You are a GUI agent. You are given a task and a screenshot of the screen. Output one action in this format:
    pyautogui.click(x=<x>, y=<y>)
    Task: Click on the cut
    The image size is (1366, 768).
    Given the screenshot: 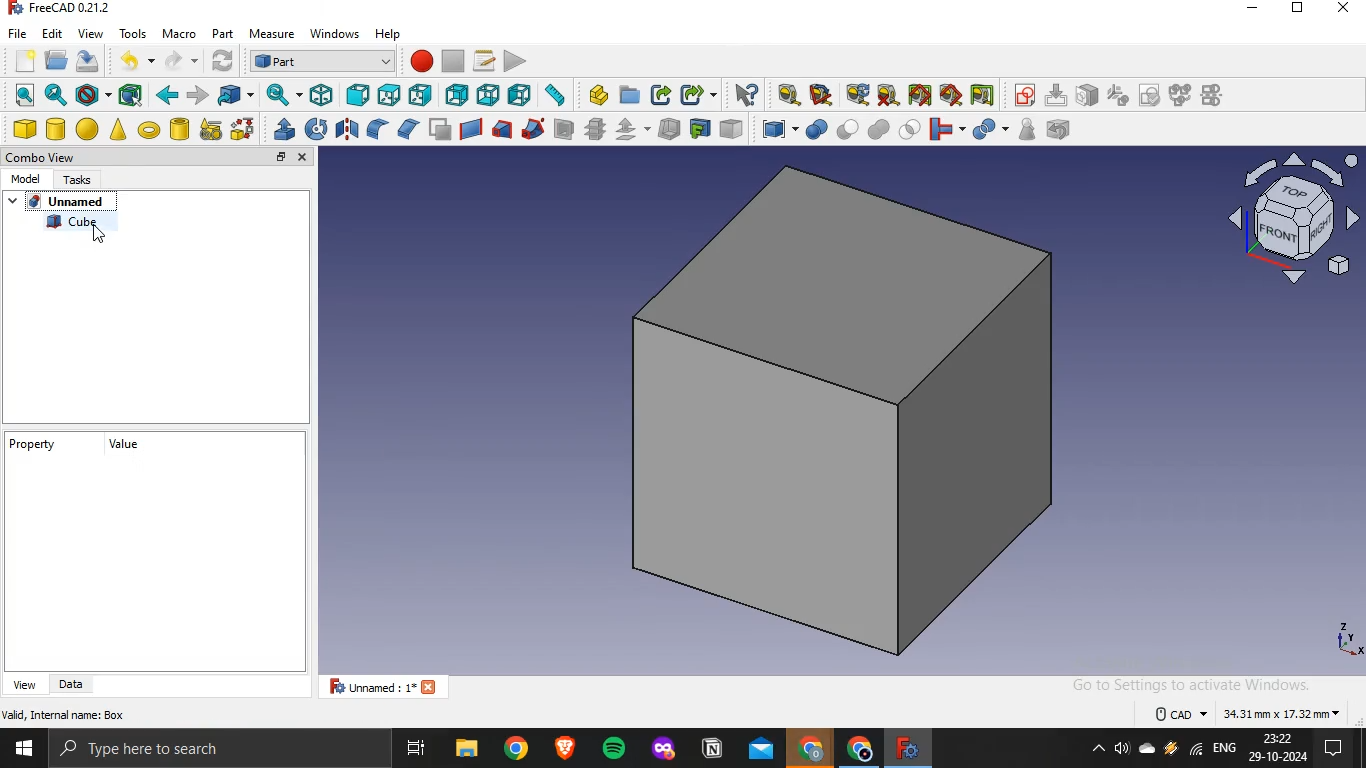 What is the action you would take?
    pyautogui.click(x=848, y=127)
    